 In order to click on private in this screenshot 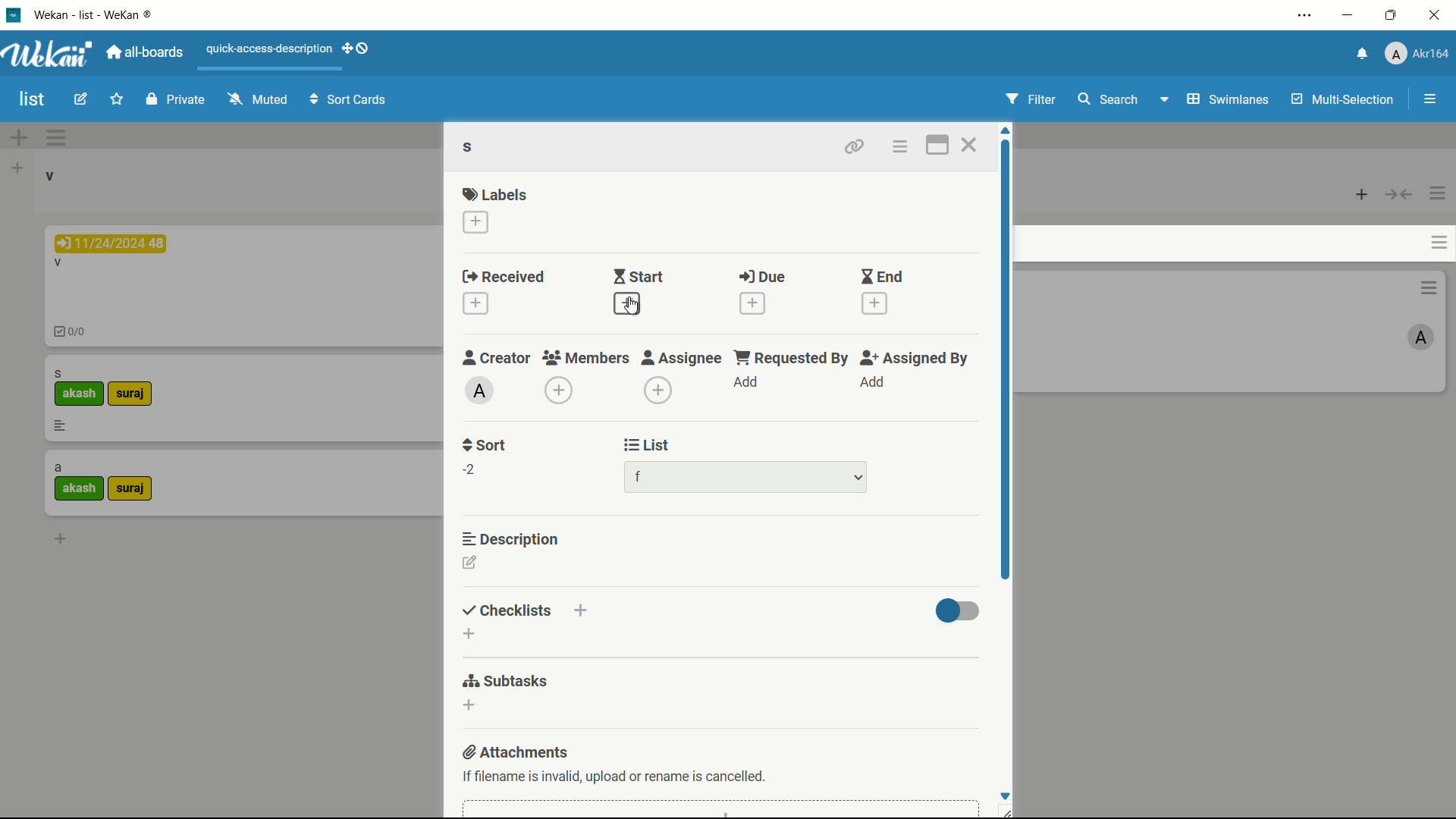, I will do `click(178, 99)`.